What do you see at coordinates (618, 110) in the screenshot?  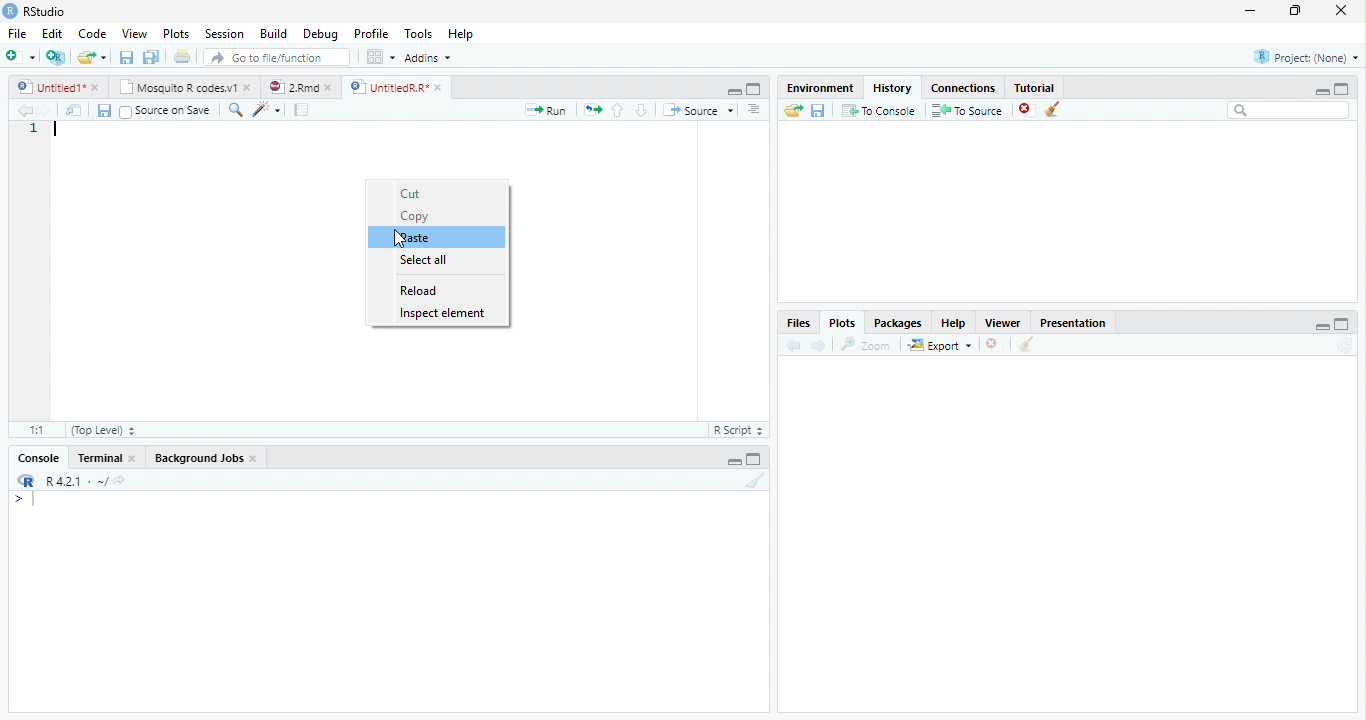 I see `up` at bounding box center [618, 110].